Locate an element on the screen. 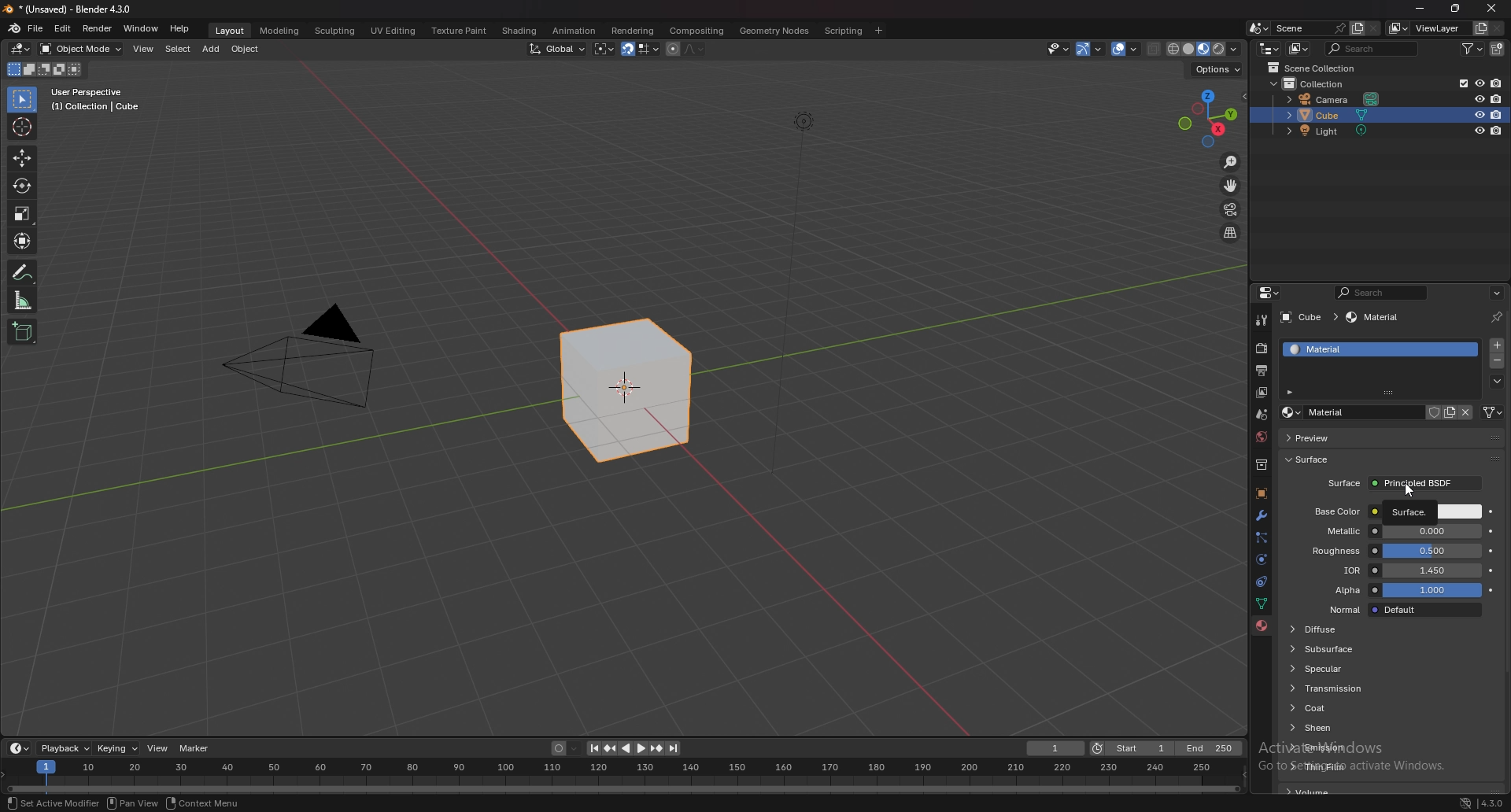 The image size is (1511, 812). texture paint is located at coordinates (457, 31).